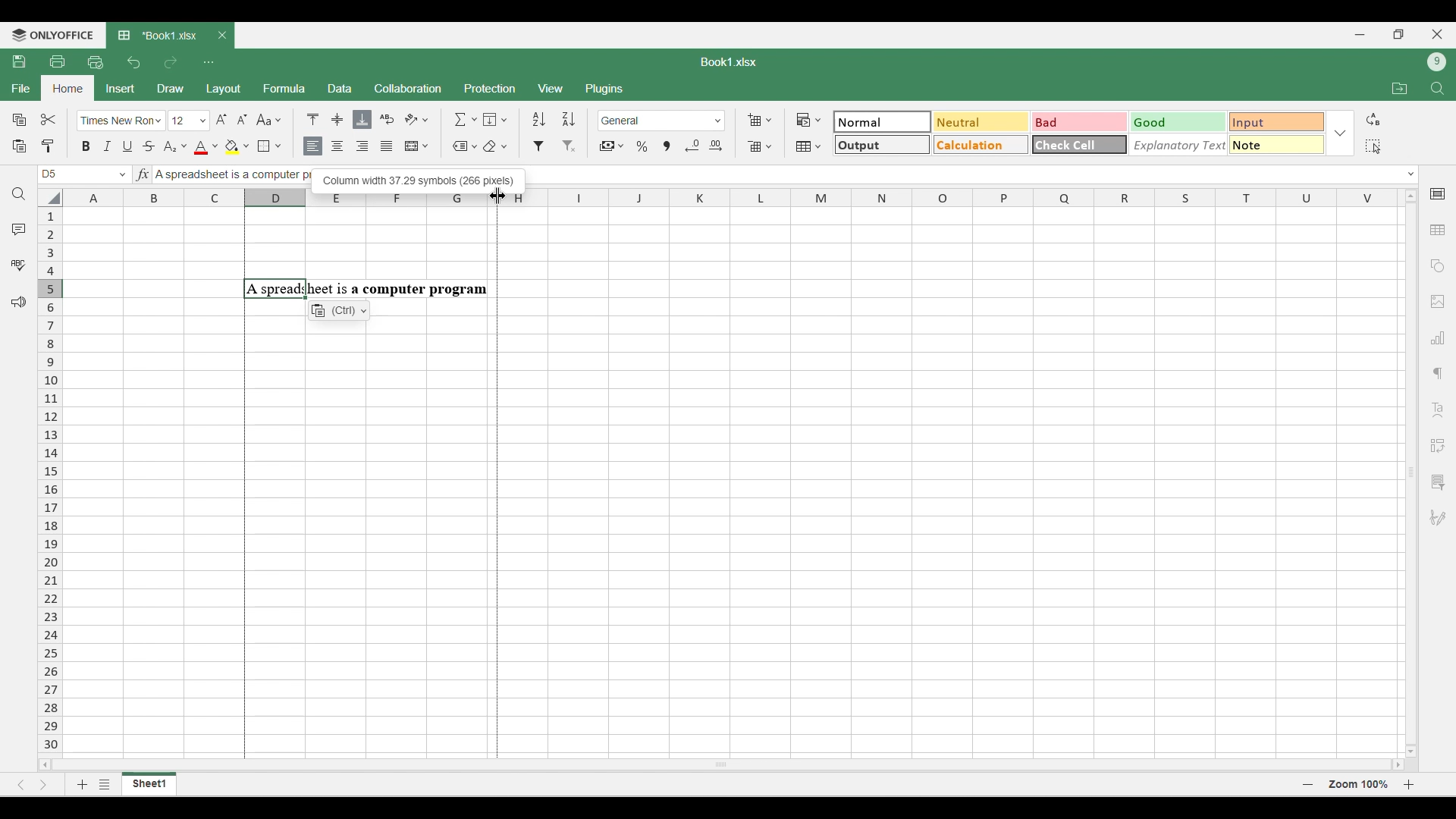 This screenshot has height=819, width=1456. What do you see at coordinates (496, 193) in the screenshot?
I see `Cursor ` at bounding box center [496, 193].